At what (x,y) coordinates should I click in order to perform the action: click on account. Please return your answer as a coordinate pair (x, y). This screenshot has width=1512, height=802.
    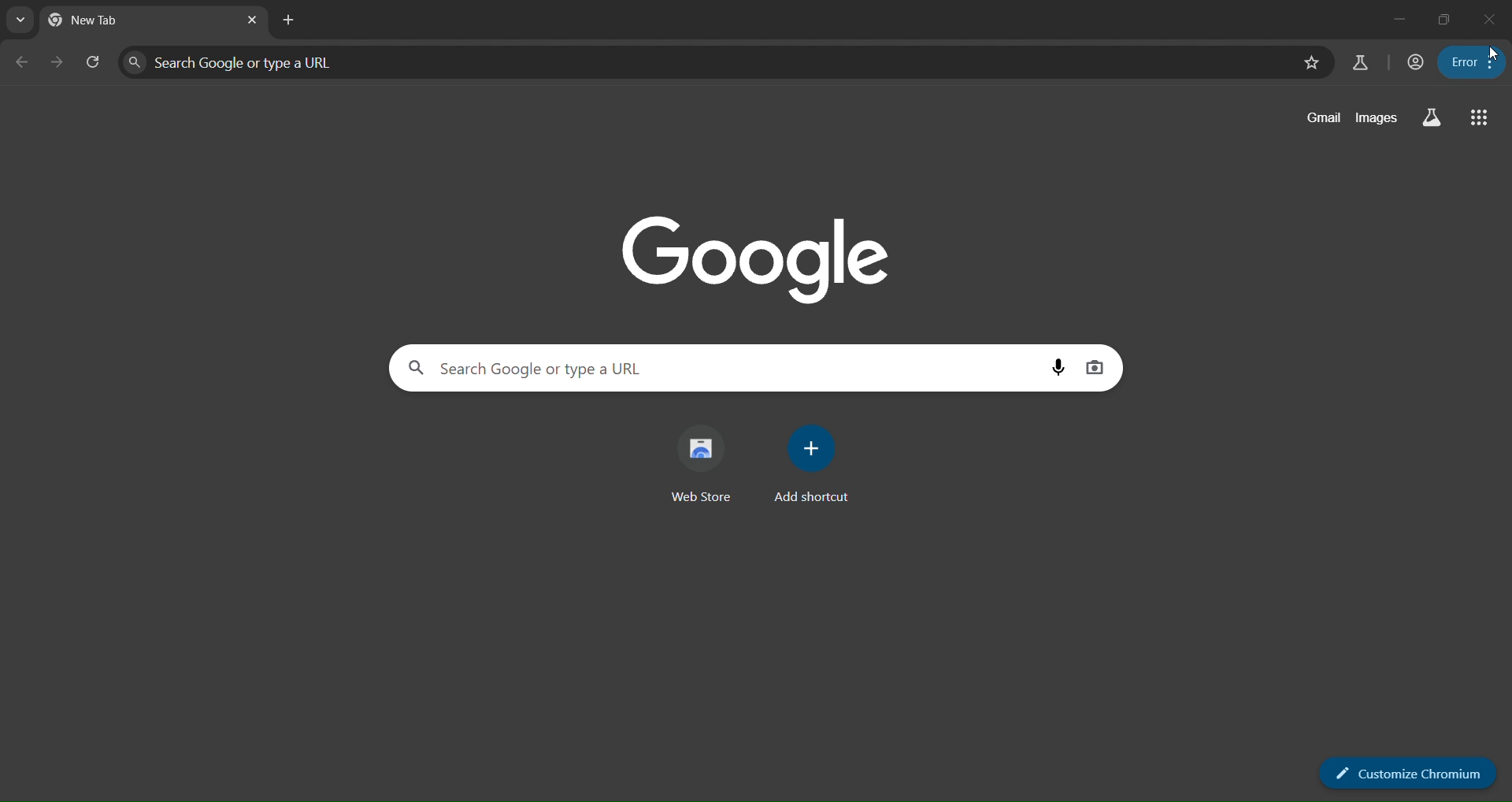
    Looking at the image, I should click on (1417, 62).